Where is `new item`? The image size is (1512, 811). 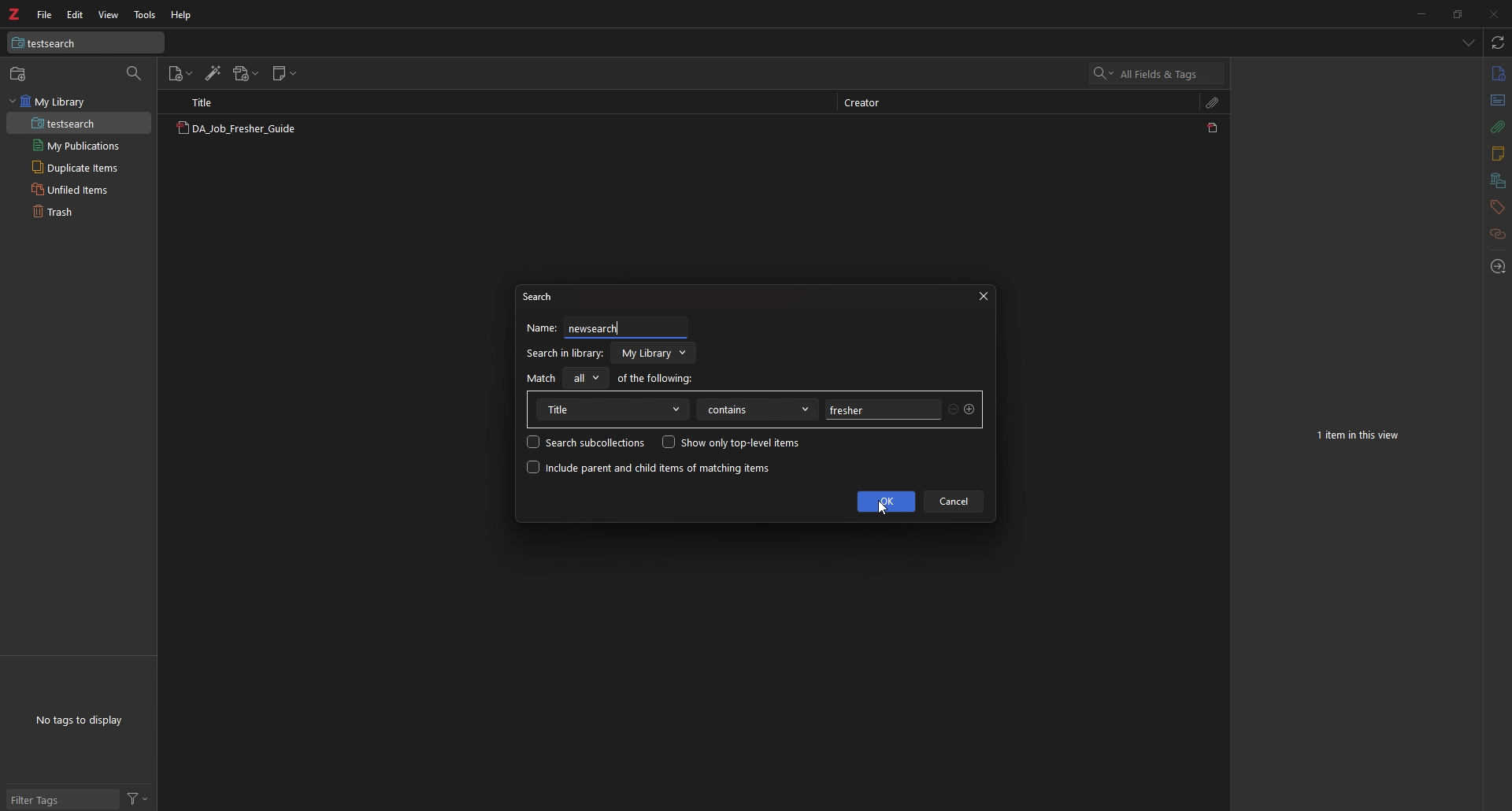
new item is located at coordinates (20, 73).